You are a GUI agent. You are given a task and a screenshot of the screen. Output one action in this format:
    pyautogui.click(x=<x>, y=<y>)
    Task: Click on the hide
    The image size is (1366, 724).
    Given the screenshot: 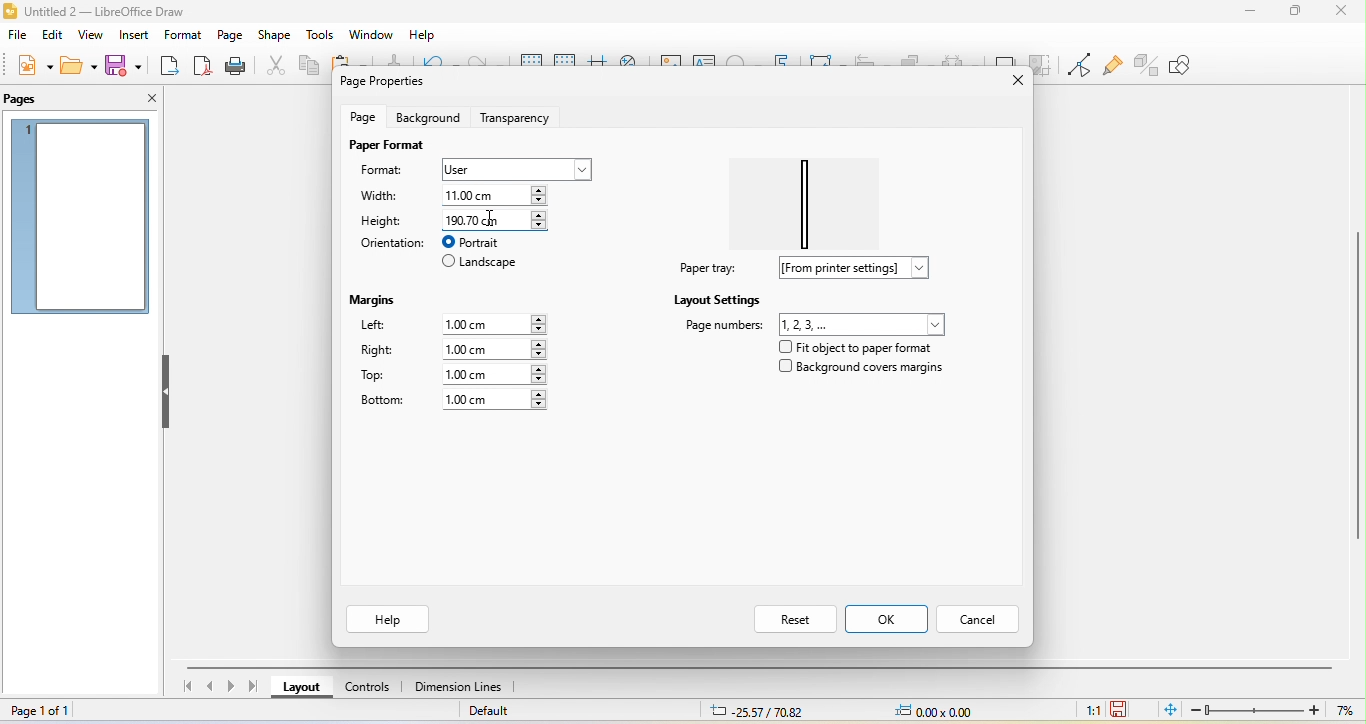 What is the action you would take?
    pyautogui.click(x=167, y=393)
    